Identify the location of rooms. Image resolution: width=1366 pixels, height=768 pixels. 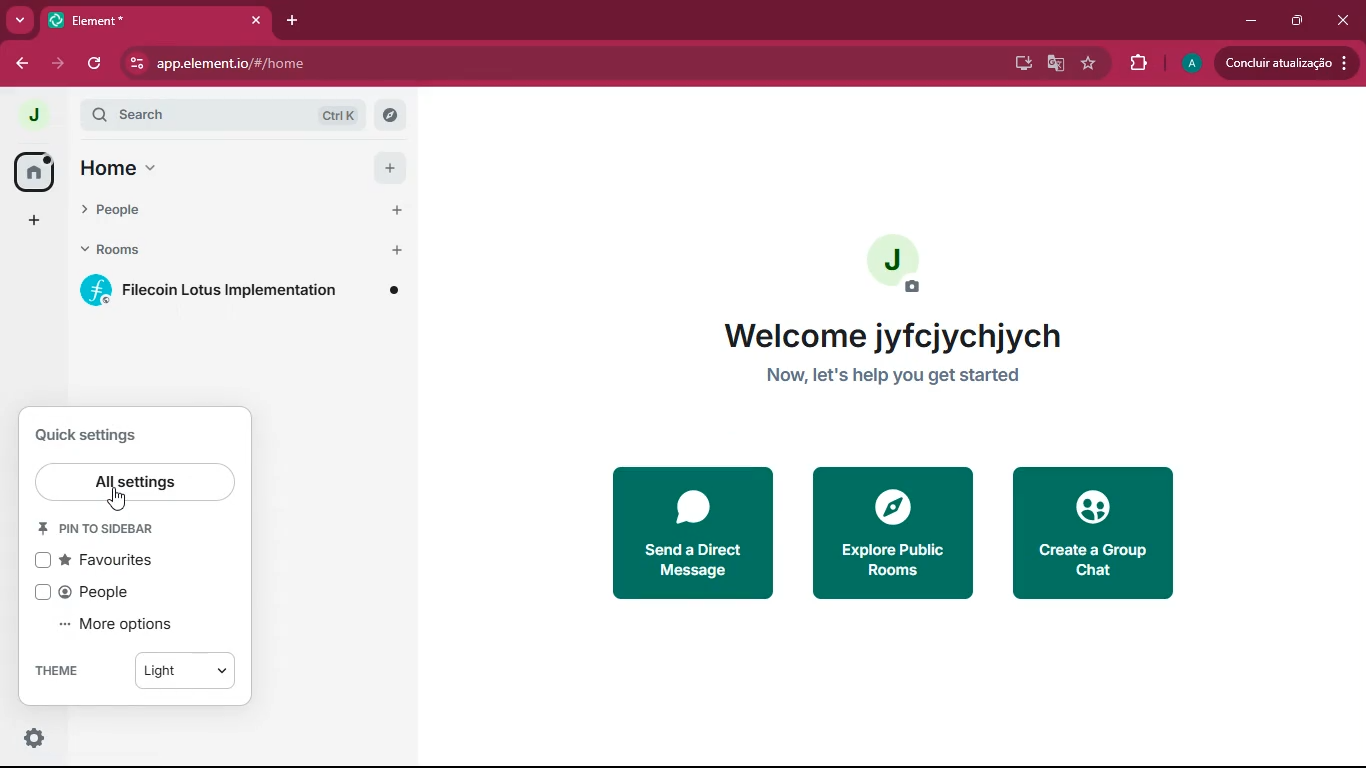
(203, 252).